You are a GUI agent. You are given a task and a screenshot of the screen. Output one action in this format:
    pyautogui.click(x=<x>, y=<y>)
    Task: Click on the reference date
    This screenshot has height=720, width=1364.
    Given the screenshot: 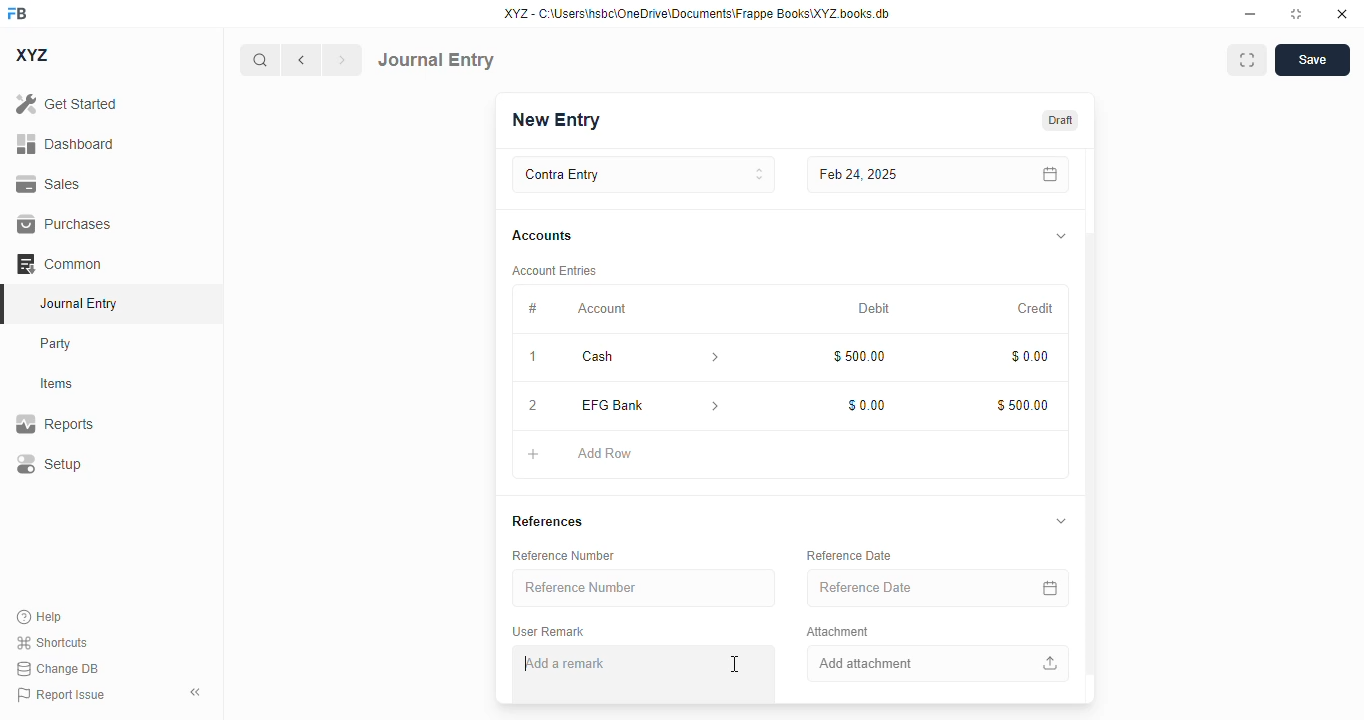 What is the action you would take?
    pyautogui.click(x=897, y=586)
    